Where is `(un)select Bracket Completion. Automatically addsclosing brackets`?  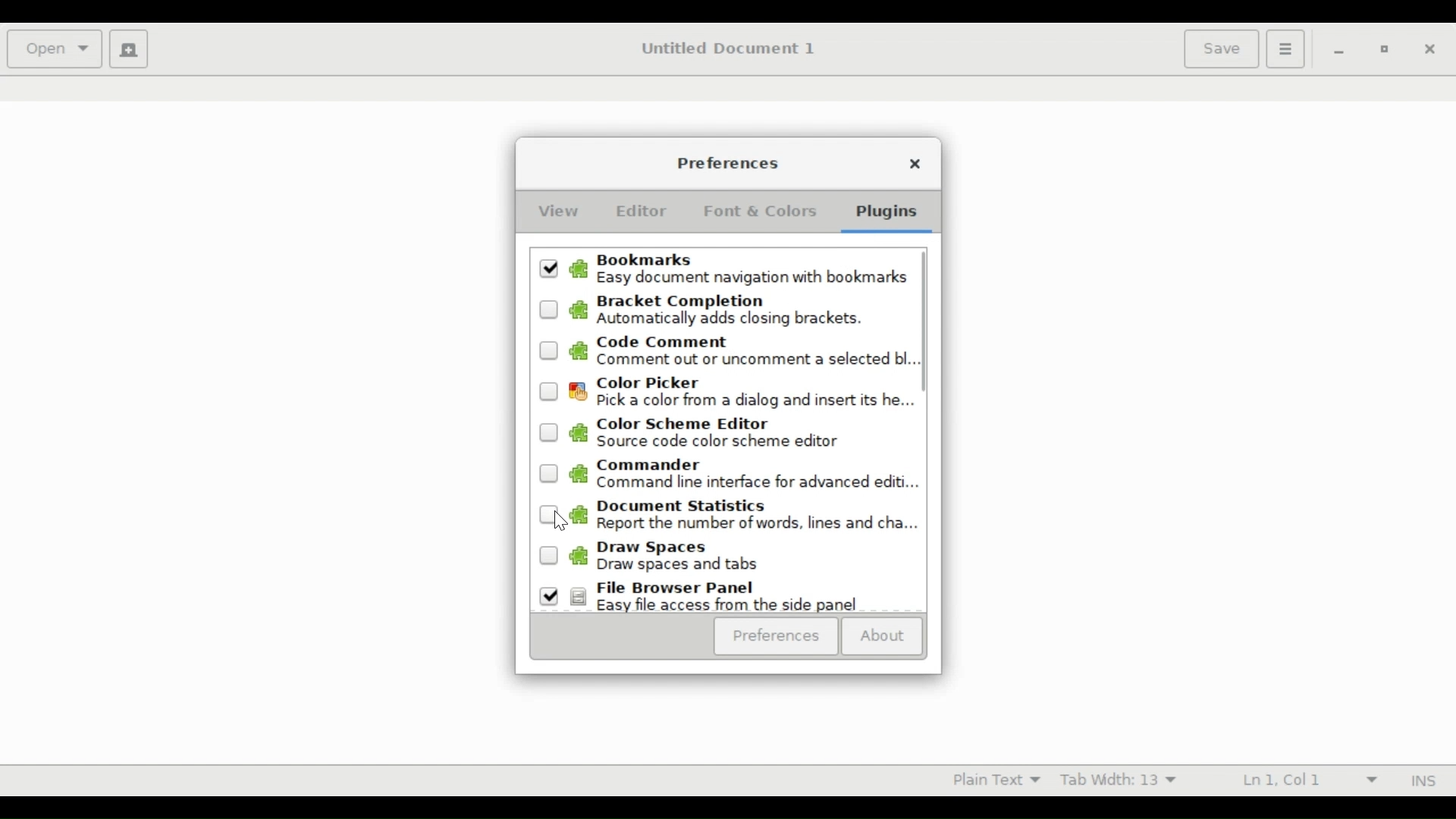 (un)select Bracket Completion. Automatically addsclosing brackets is located at coordinates (739, 311).